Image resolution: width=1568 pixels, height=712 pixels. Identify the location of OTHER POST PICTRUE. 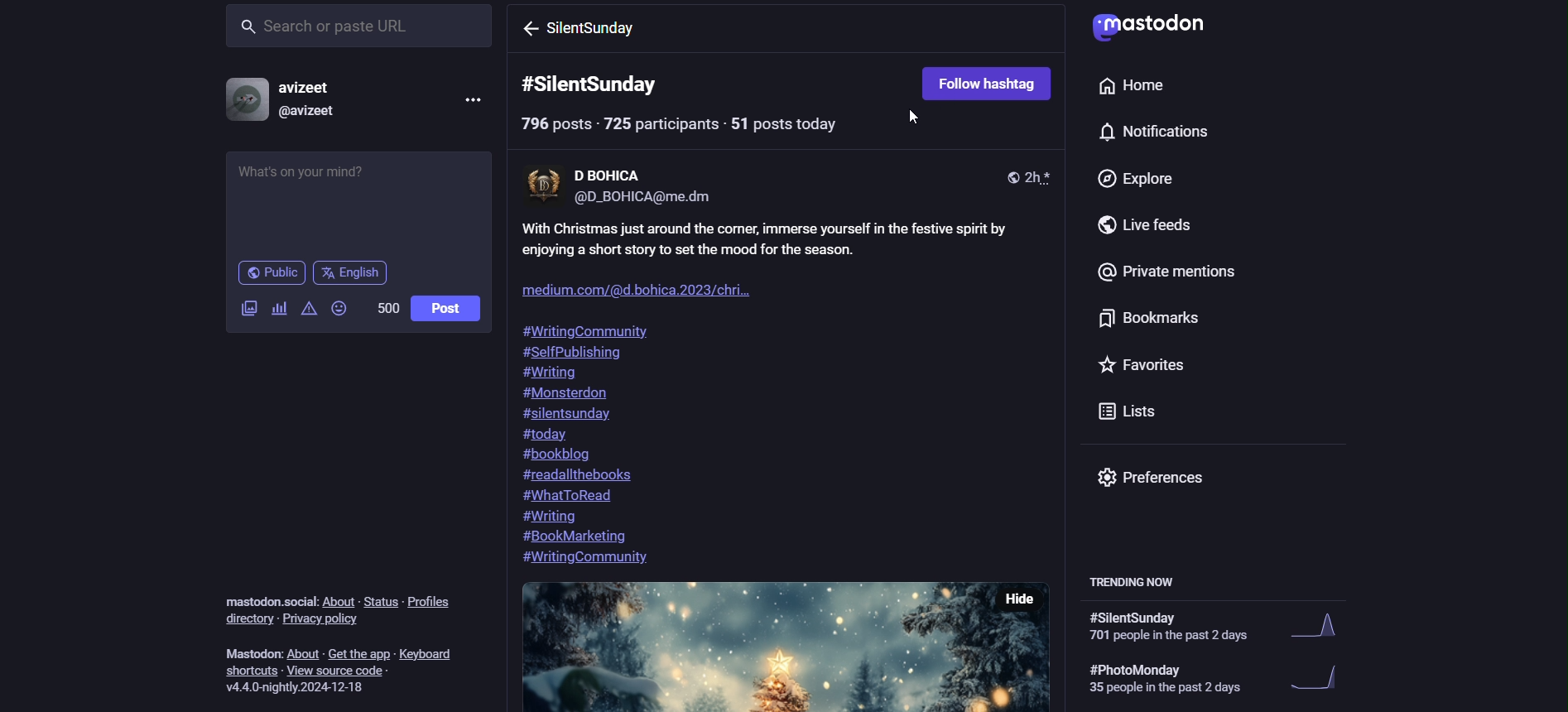
(743, 647).